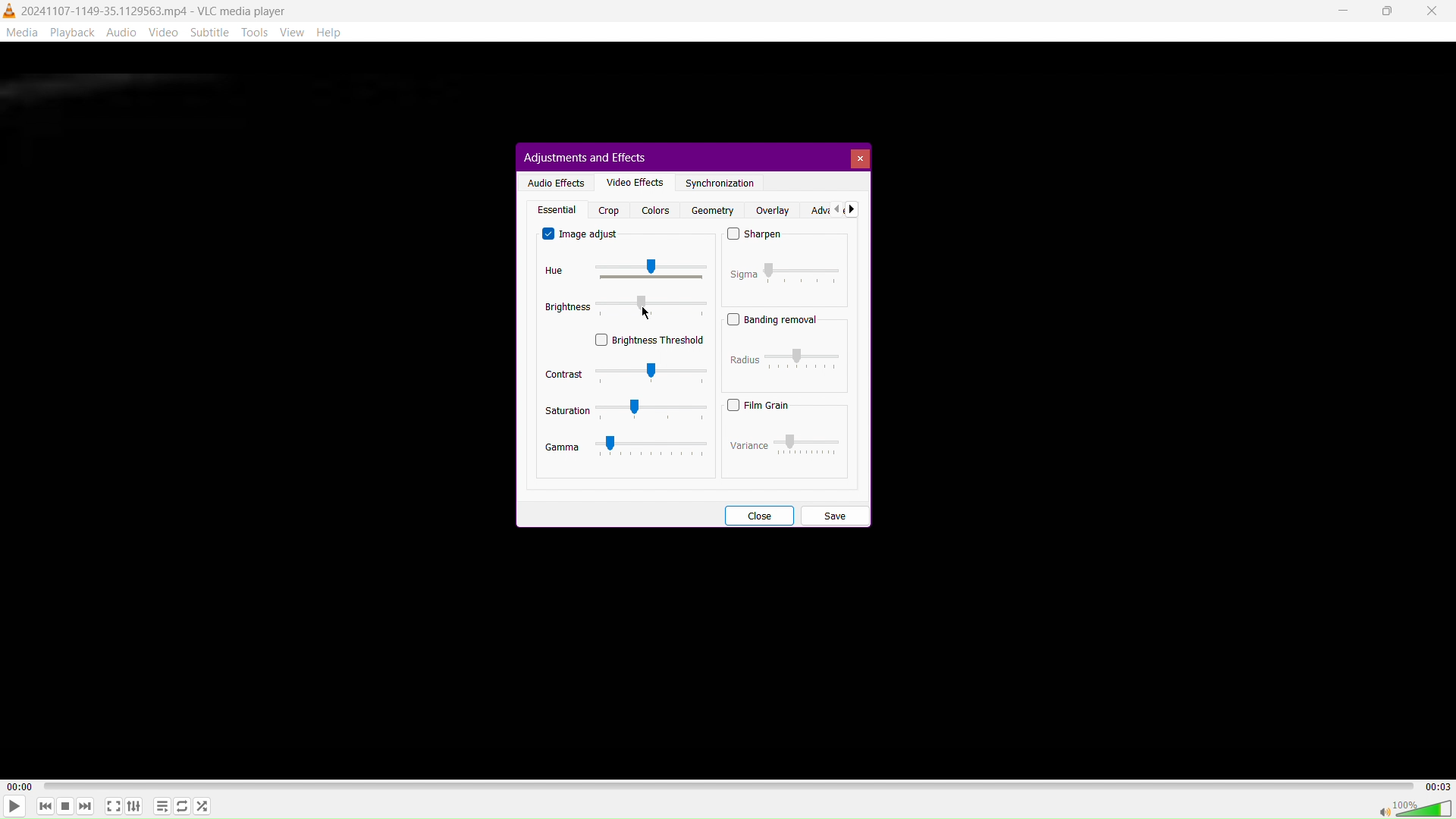 This screenshot has height=819, width=1456. What do you see at coordinates (135, 807) in the screenshot?
I see `Extended Settings` at bounding box center [135, 807].